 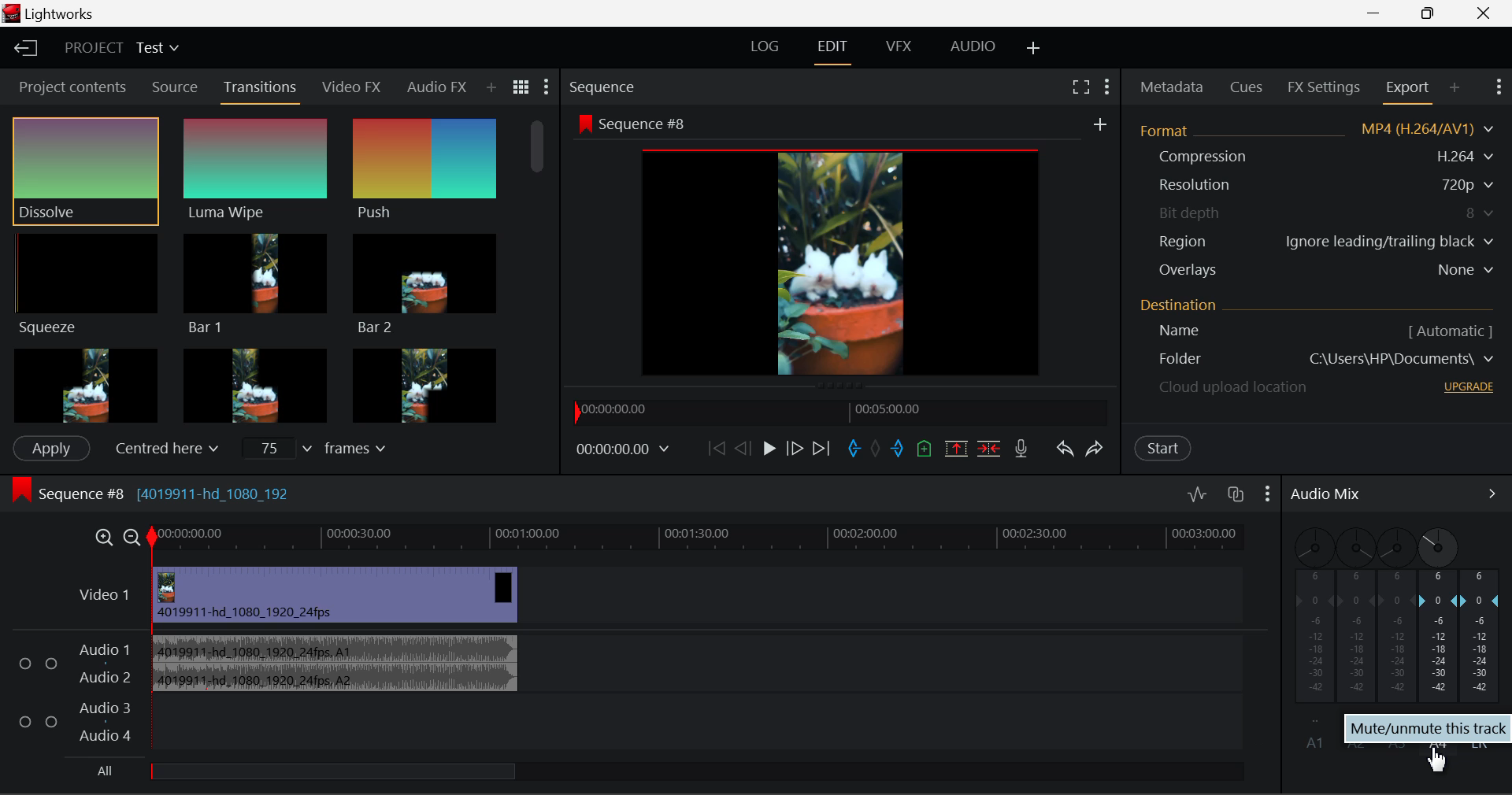 I want to click on Destination Details, so click(x=1320, y=320).